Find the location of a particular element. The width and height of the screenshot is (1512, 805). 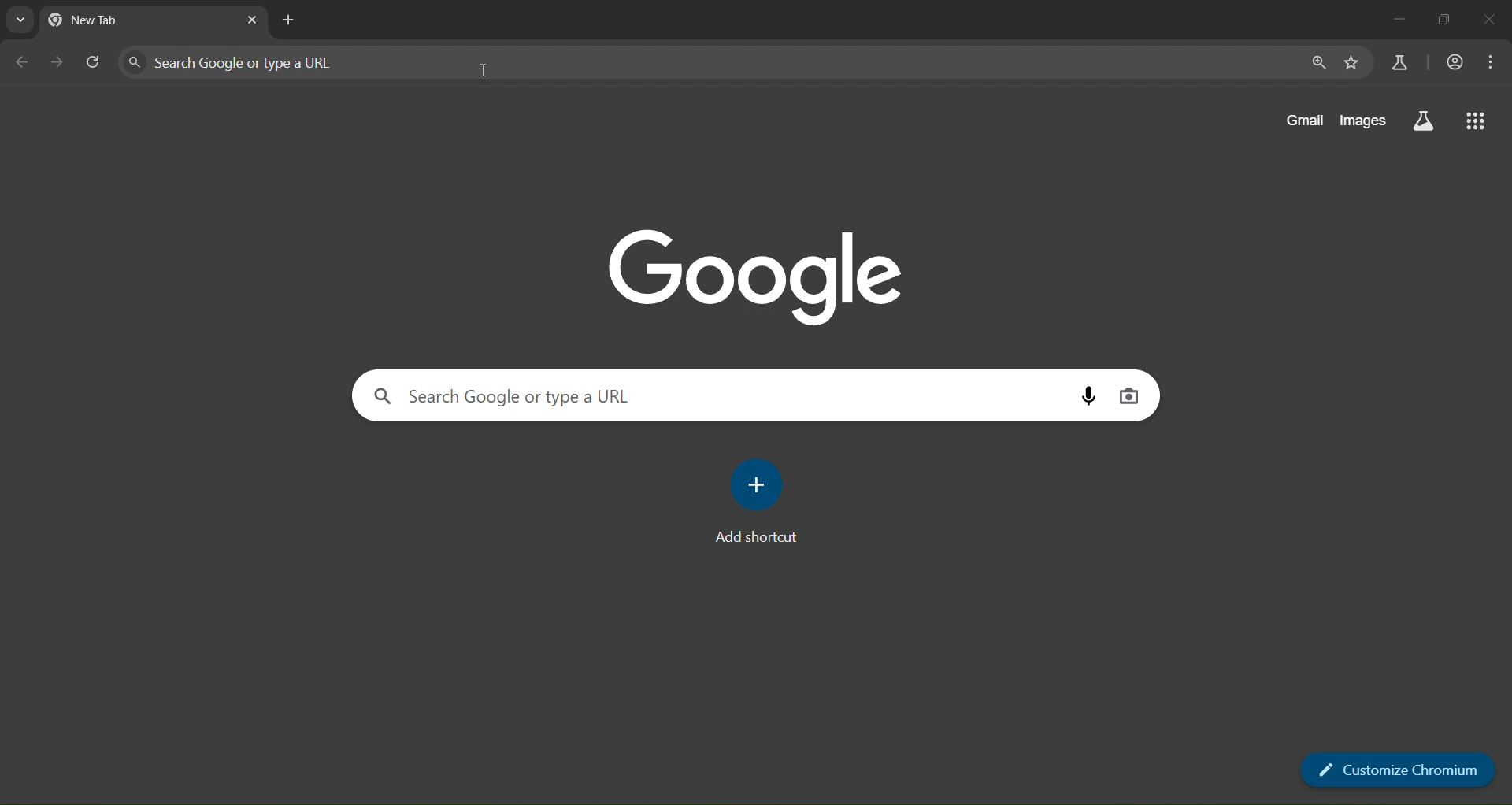

account is located at coordinates (1454, 61).